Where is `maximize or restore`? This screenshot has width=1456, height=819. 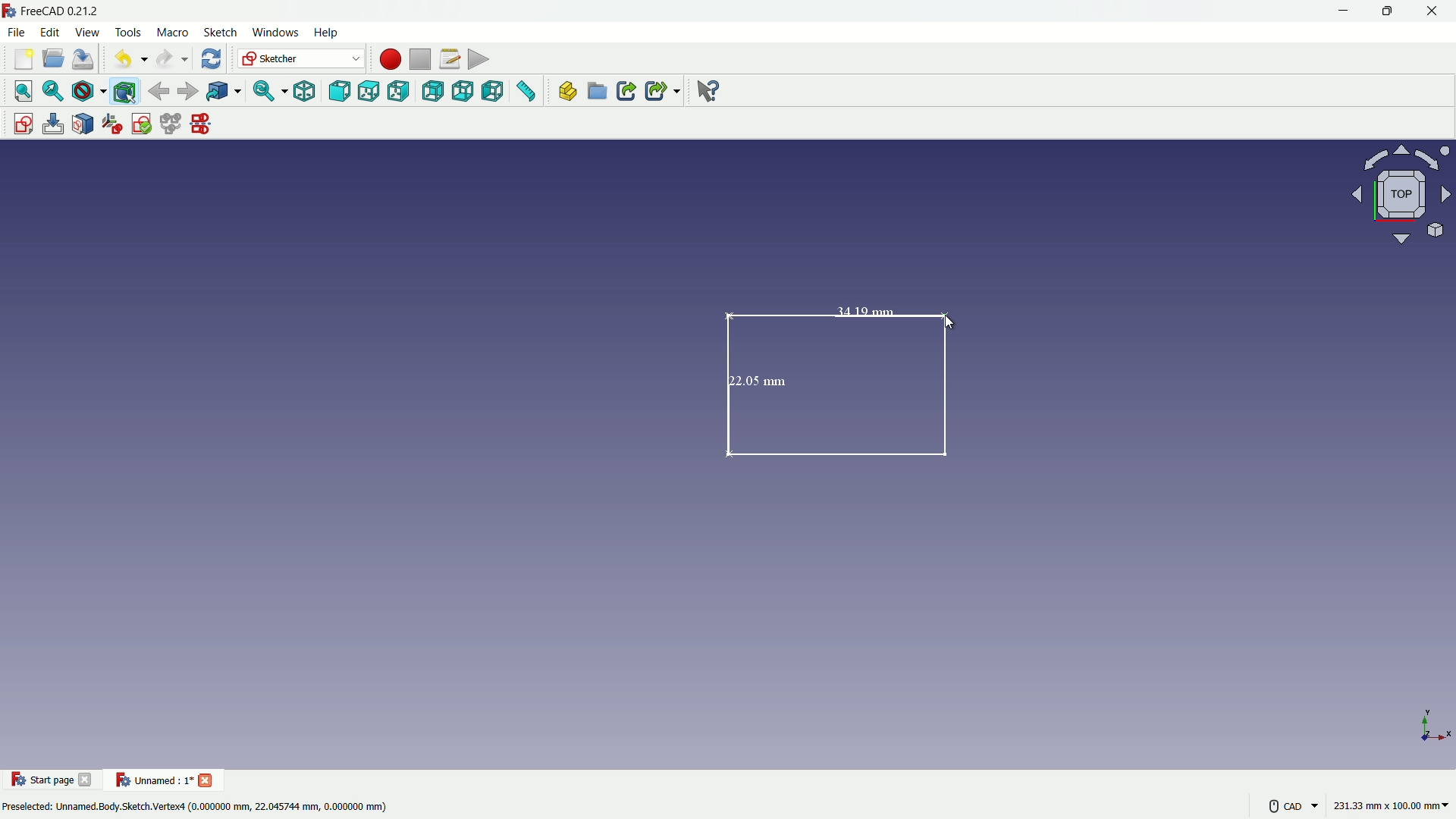
maximize or restore is located at coordinates (1389, 11).